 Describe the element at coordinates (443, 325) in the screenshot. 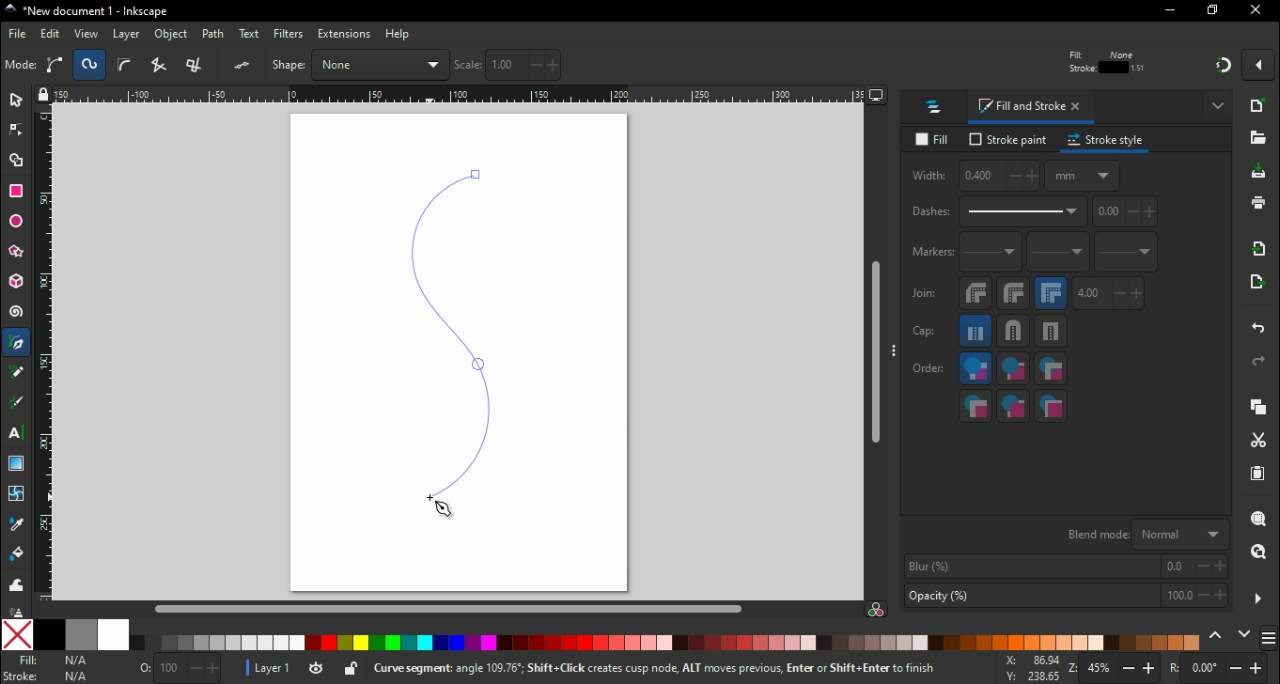

I see `active curved line segment` at that location.